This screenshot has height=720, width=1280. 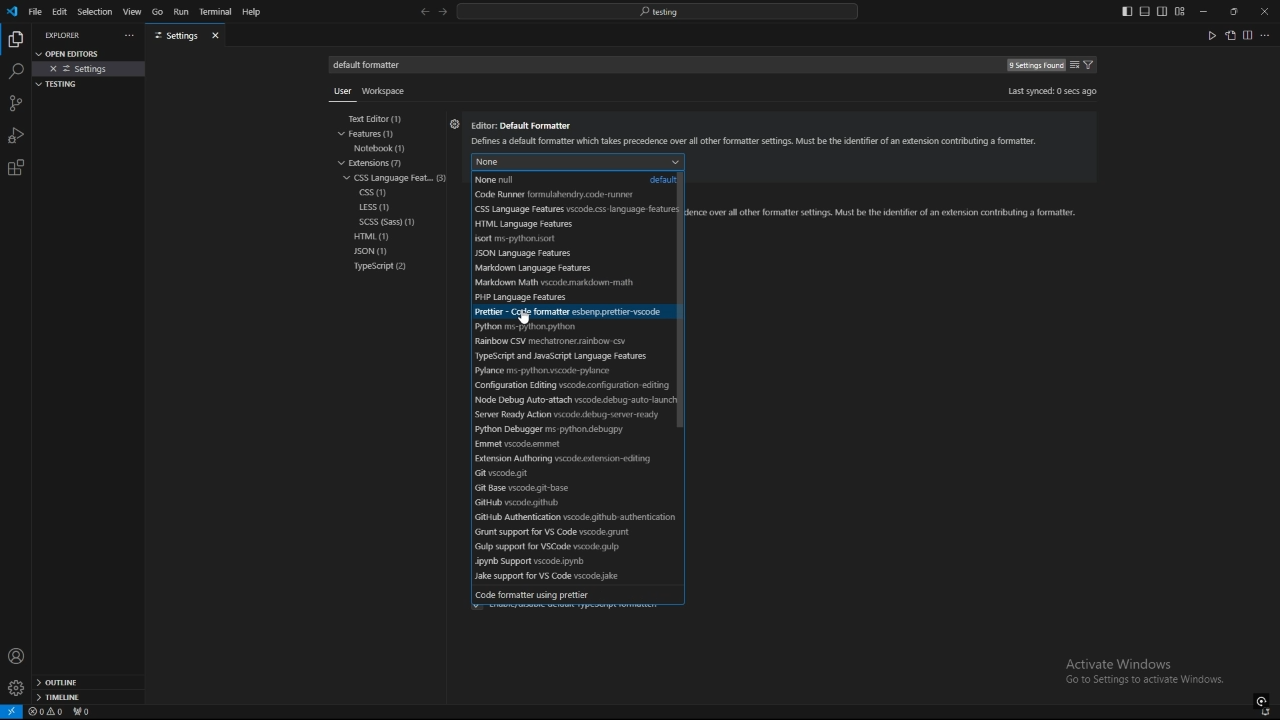 I want to click on run and debug, so click(x=16, y=135).